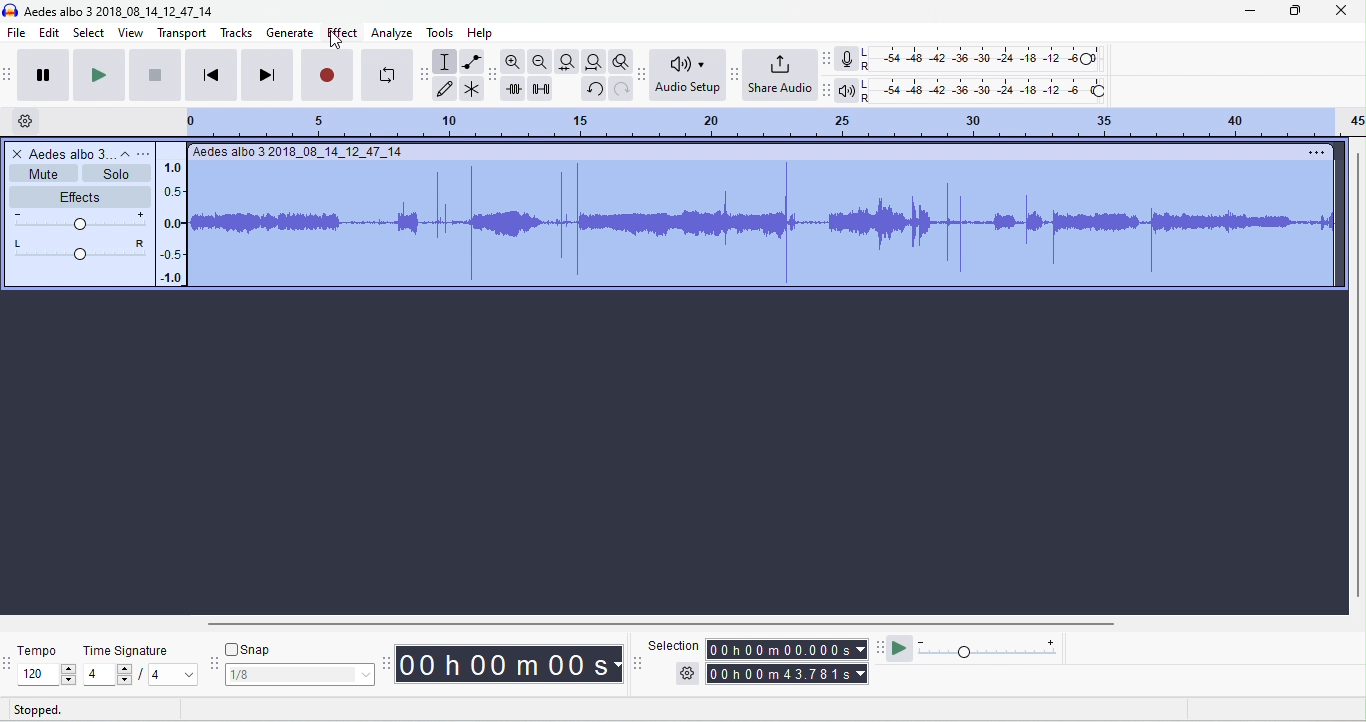 This screenshot has height=722, width=1366. What do you see at coordinates (686, 75) in the screenshot?
I see `audio set up` at bounding box center [686, 75].